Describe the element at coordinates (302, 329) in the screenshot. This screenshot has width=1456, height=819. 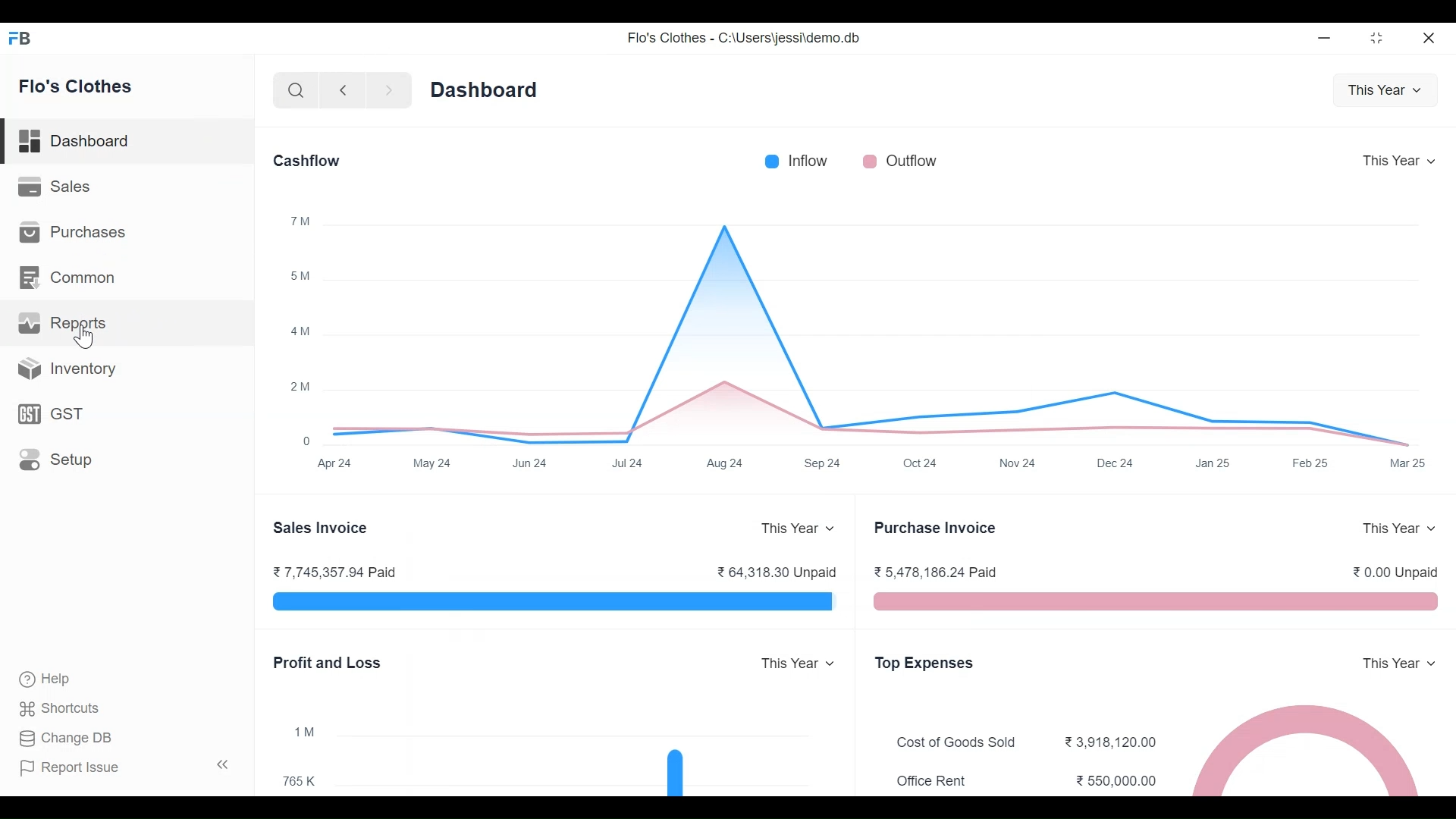
I see `7M 5M 4M 2M 0` at that location.